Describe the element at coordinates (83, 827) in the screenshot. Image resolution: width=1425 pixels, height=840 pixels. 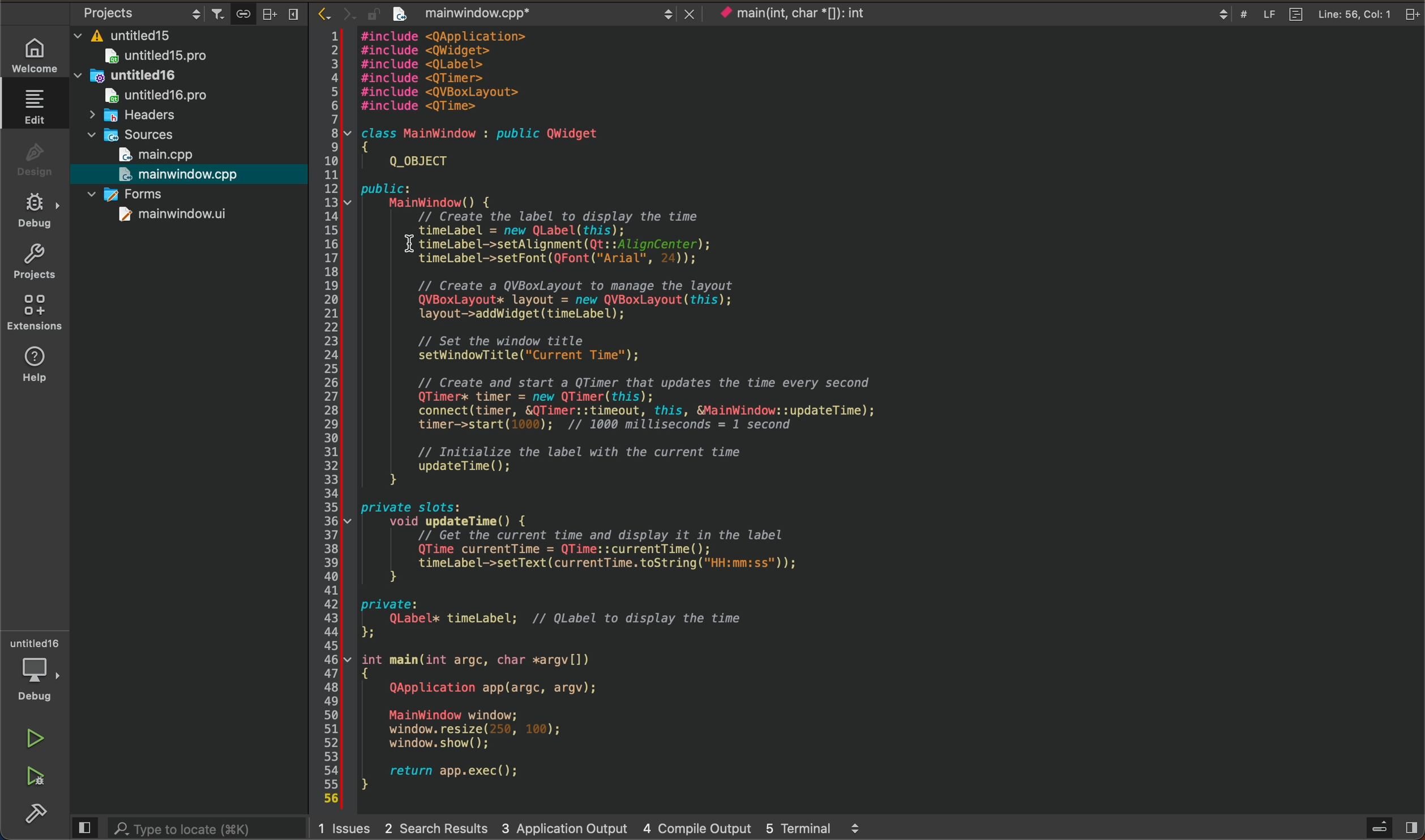
I see `Preview` at that location.